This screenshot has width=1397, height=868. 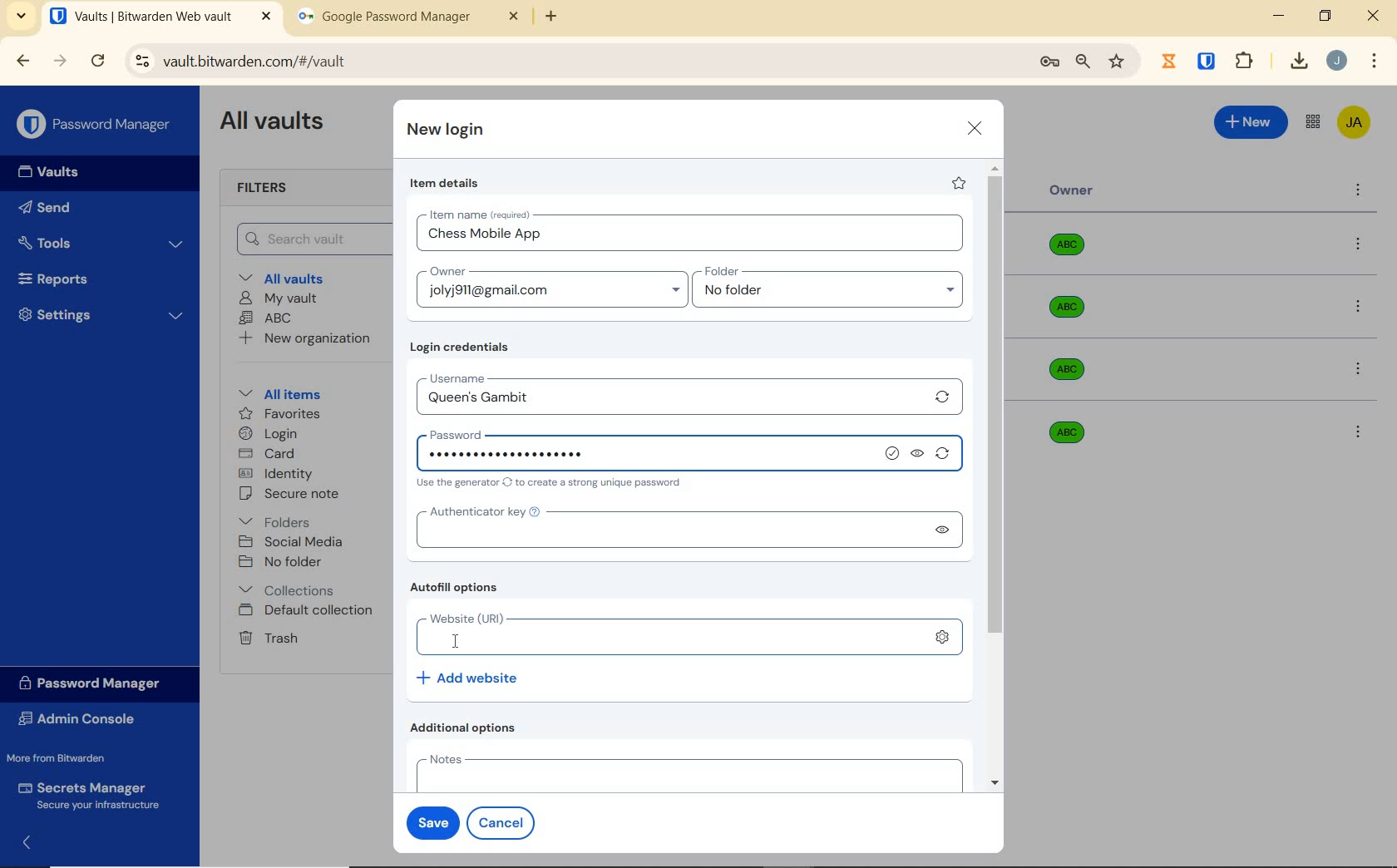 I want to click on All vaults, so click(x=288, y=277).